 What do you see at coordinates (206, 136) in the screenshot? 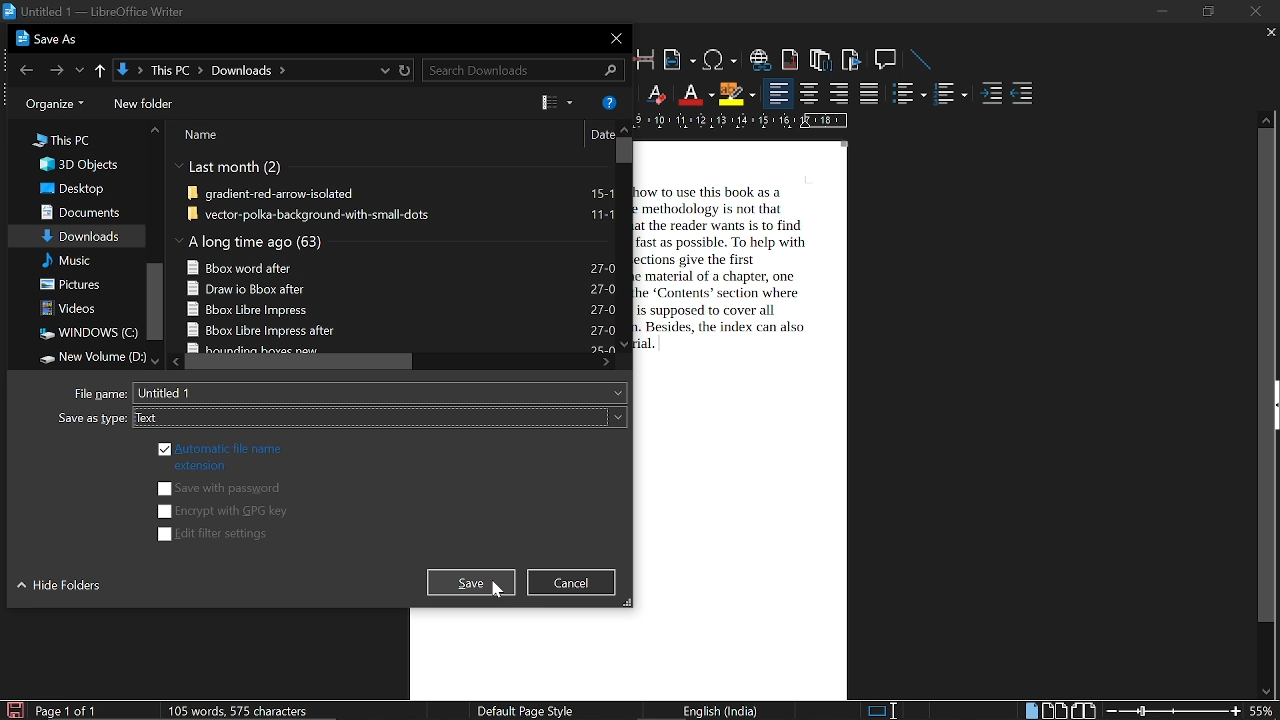
I see `Name` at bounding box center [206, 136].